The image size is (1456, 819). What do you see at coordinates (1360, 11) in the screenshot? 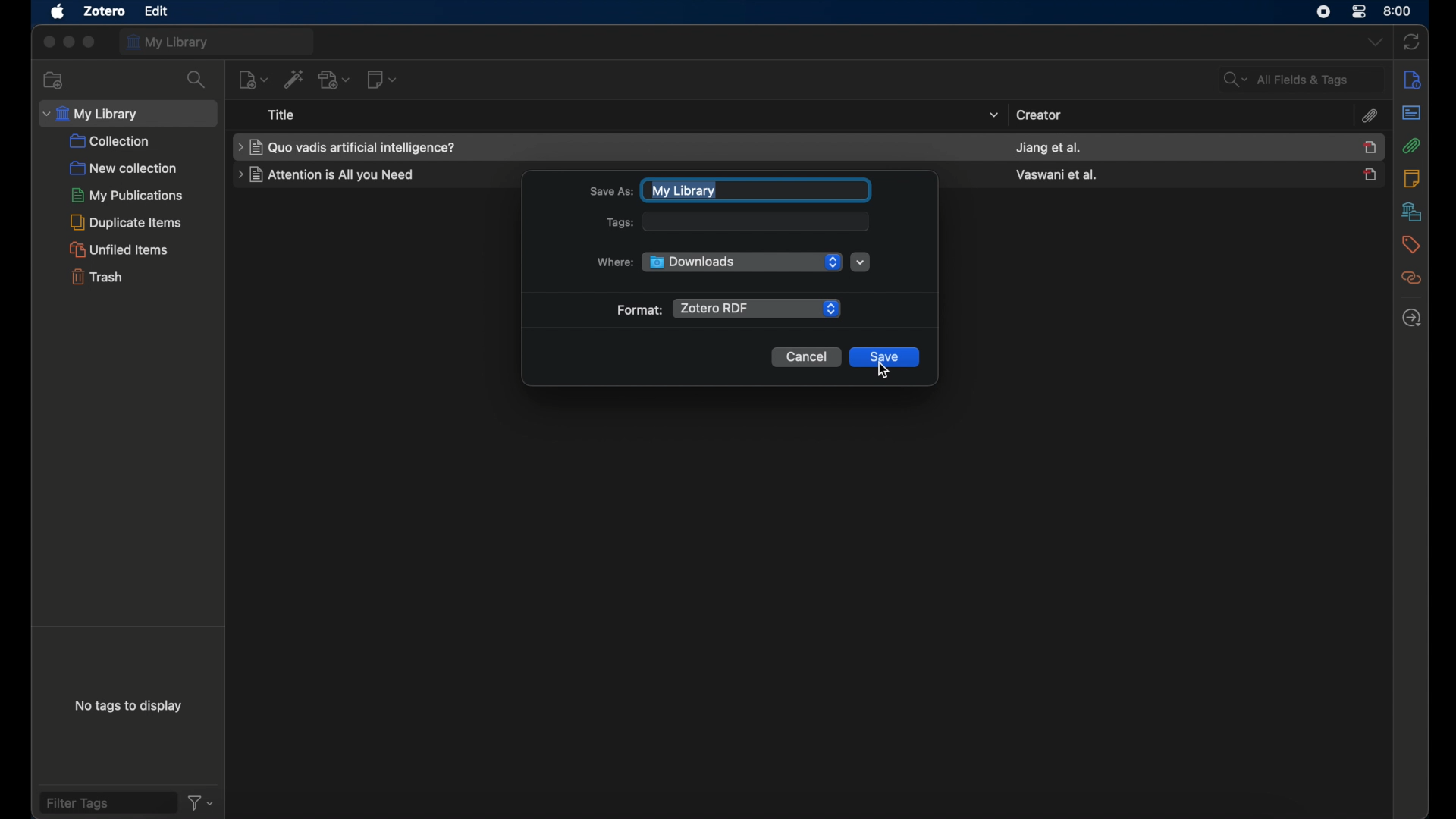
I see `control center` at bounding box center [1360, 11].